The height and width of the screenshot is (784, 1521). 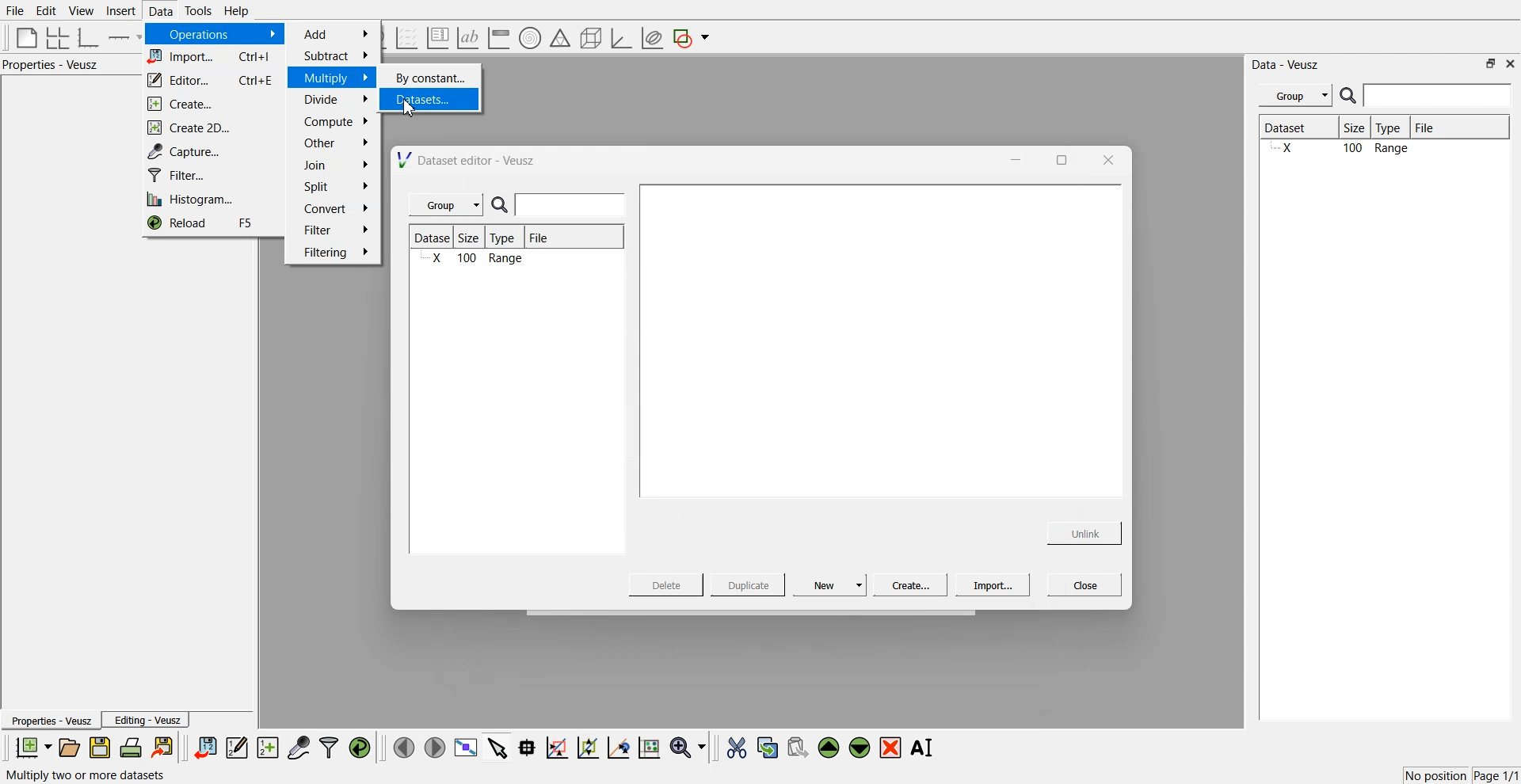 What do you see at coordinates (434, 101) in the screenshot?
I see `Datasets...` at bounding box center [434, 101].